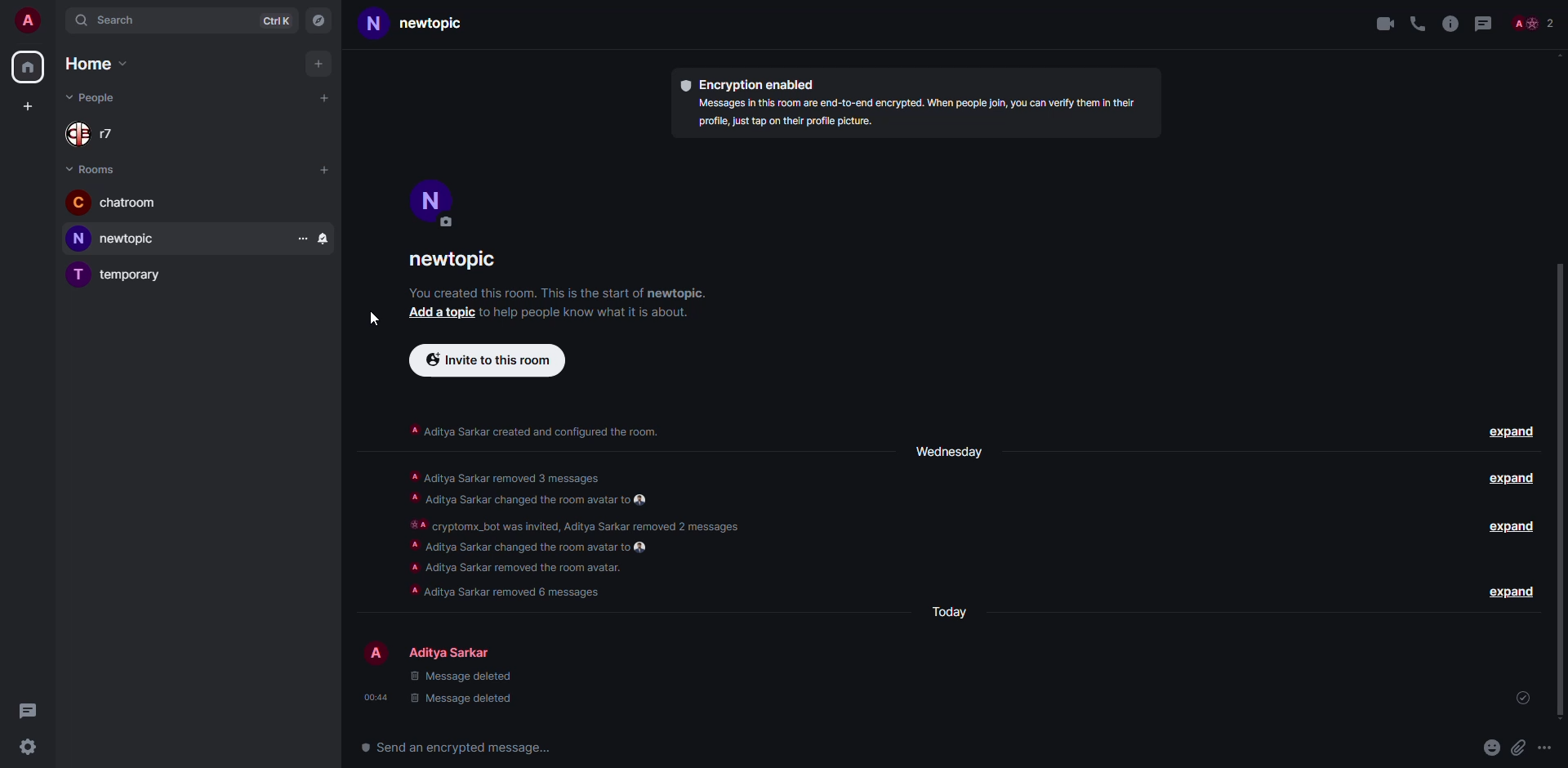 Image resolution: width=1568 pixels, height=768 pixels. Describe the element at coordinates (375, 319) in the screenshot. I see `cursor` at that location.